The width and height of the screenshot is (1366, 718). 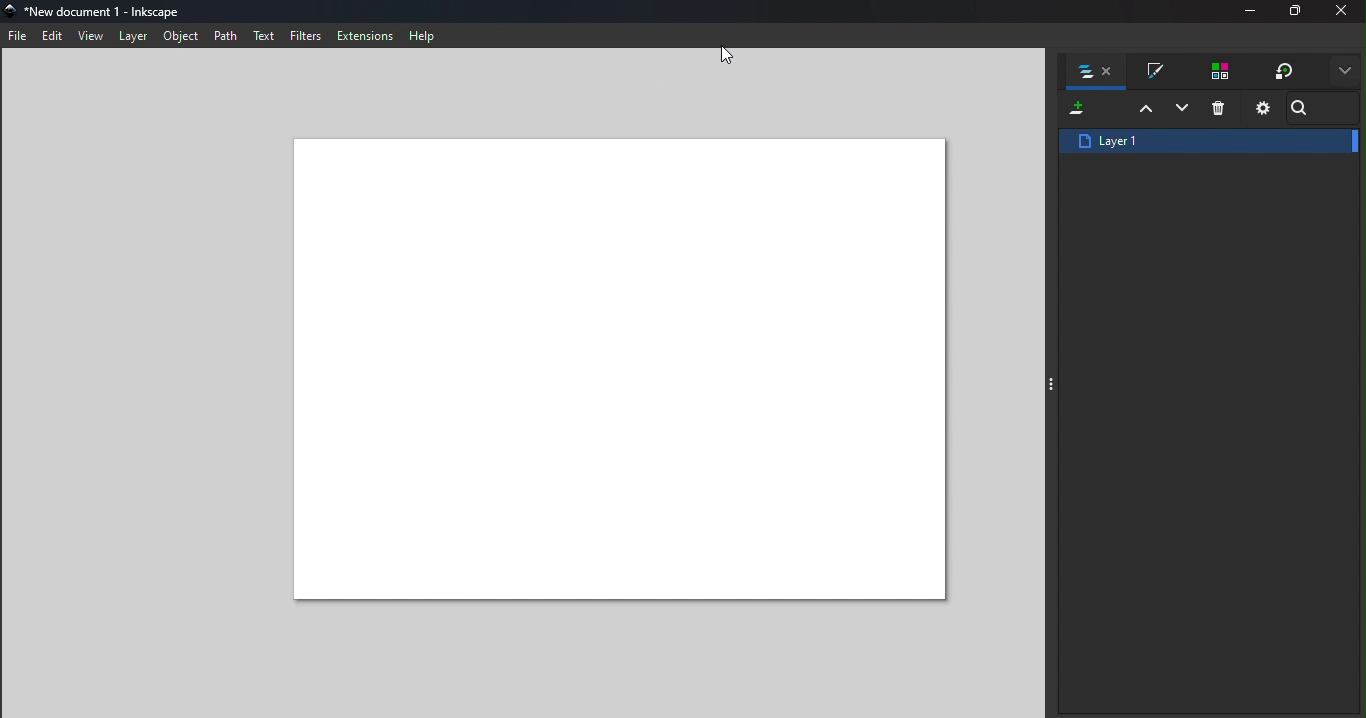 What do you see at coordinates (1323, 109) in the screenshot?
I see `Search bar` at bounding box center [1323, 109].